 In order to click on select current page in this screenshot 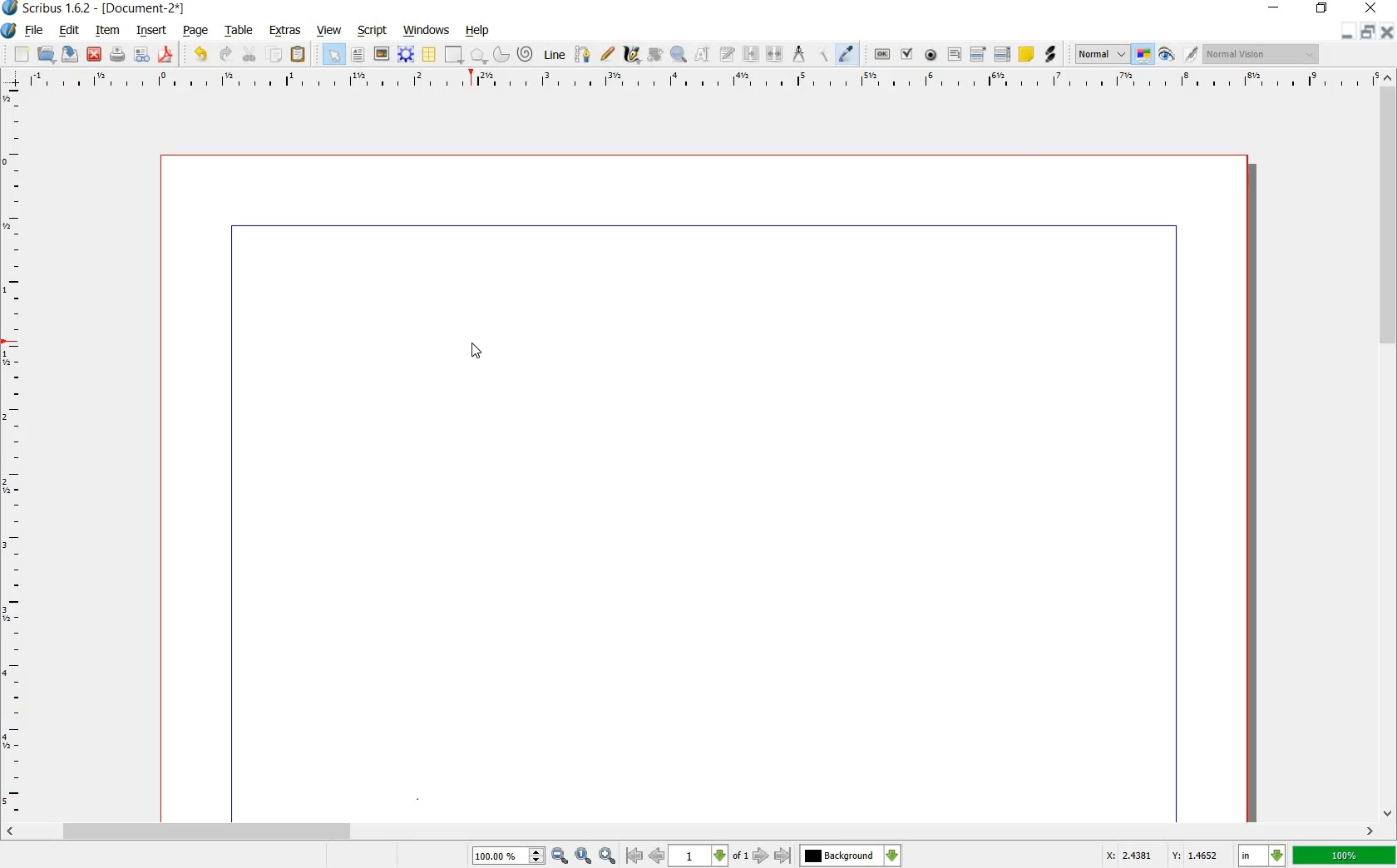, I will do `click(708, 856)`.